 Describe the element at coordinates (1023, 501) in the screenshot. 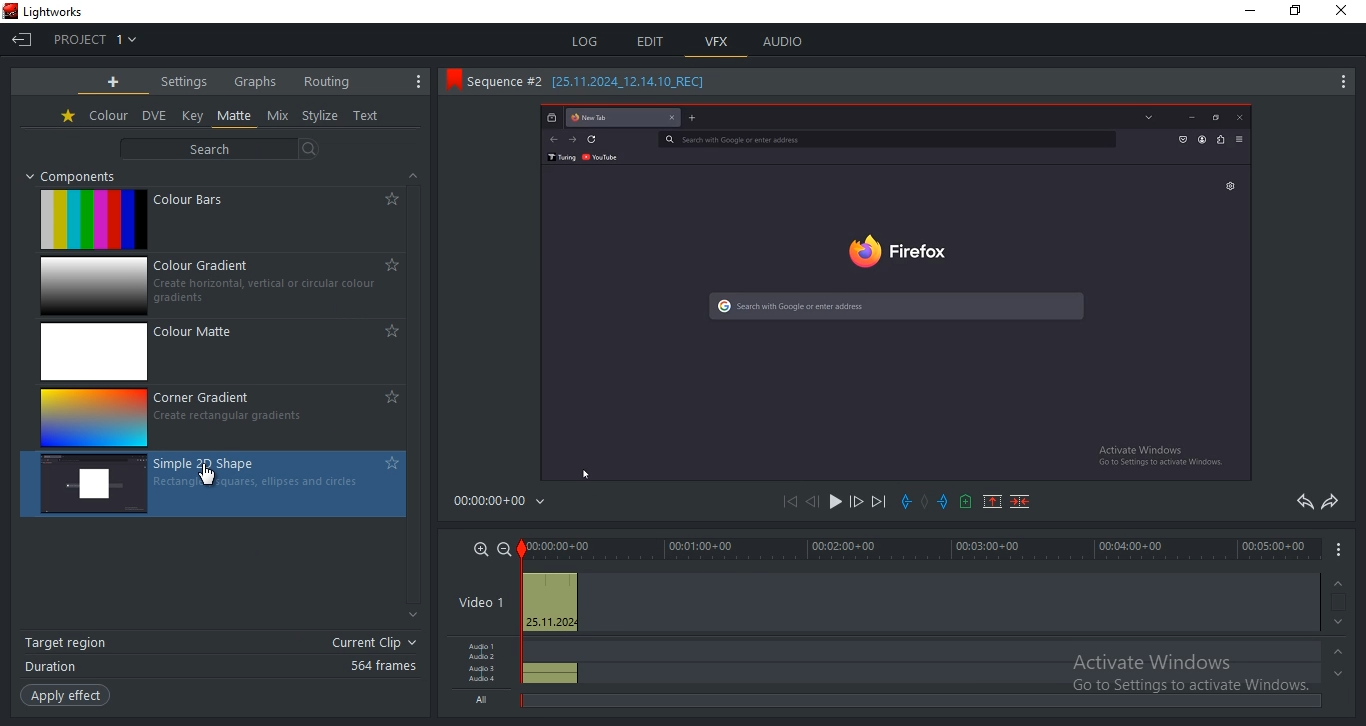

I see `delete a marked section` at that location.